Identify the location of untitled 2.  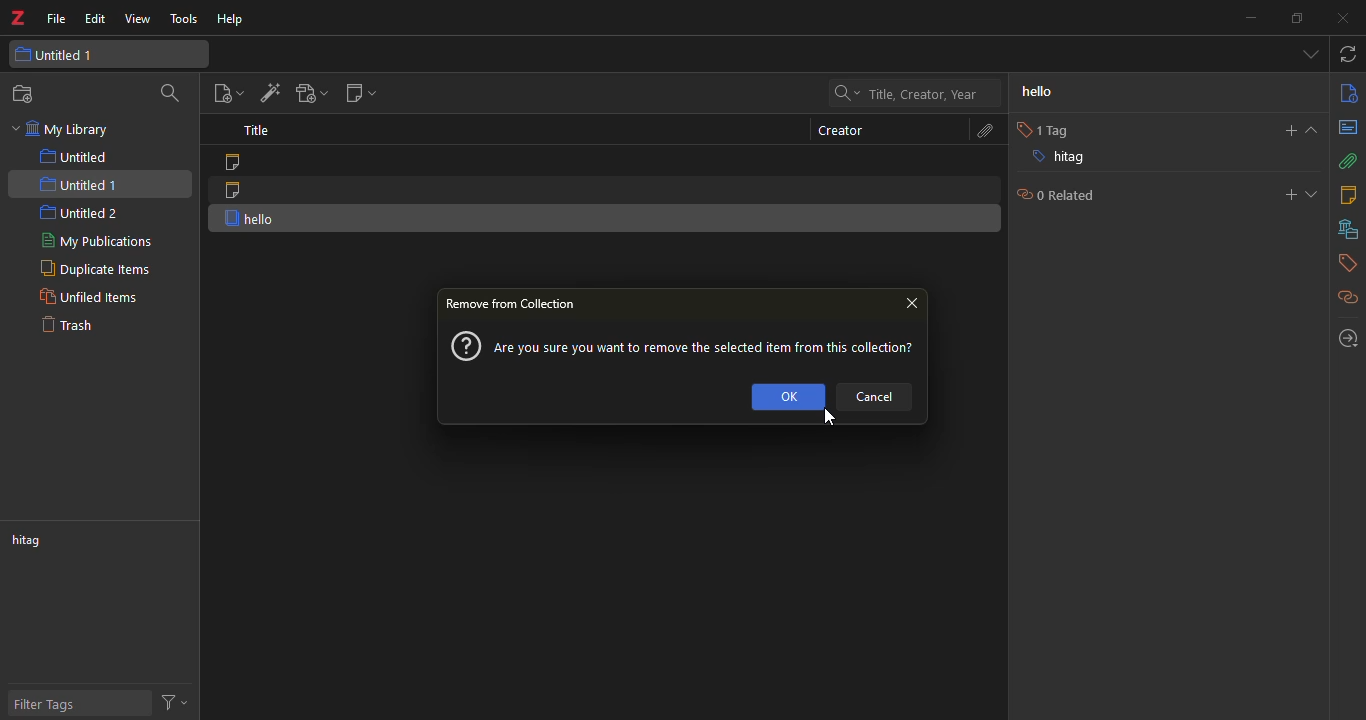
(80, 212).